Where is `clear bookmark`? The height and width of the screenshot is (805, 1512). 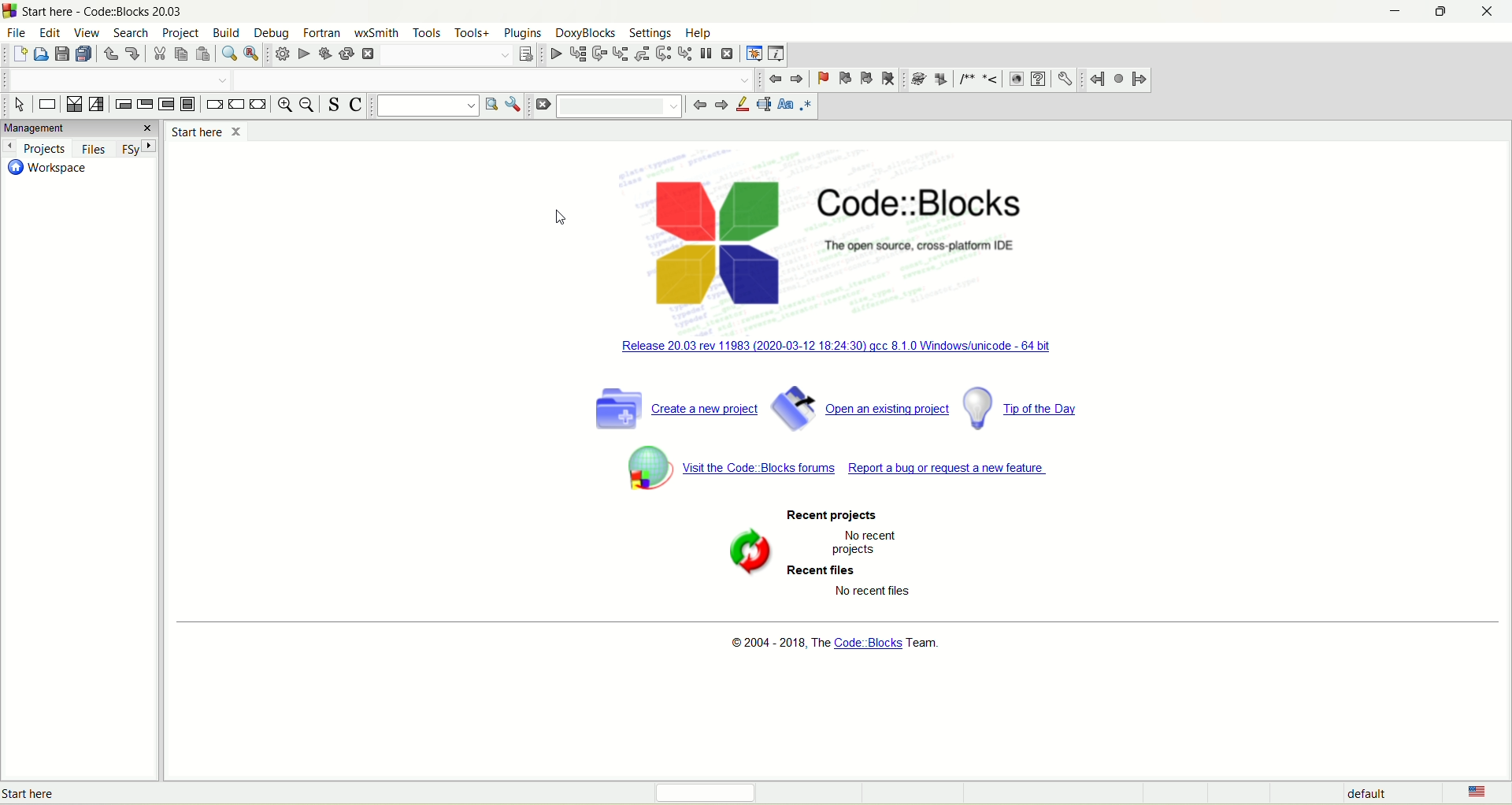 clear bookmark is located at coordinates (888, 77).